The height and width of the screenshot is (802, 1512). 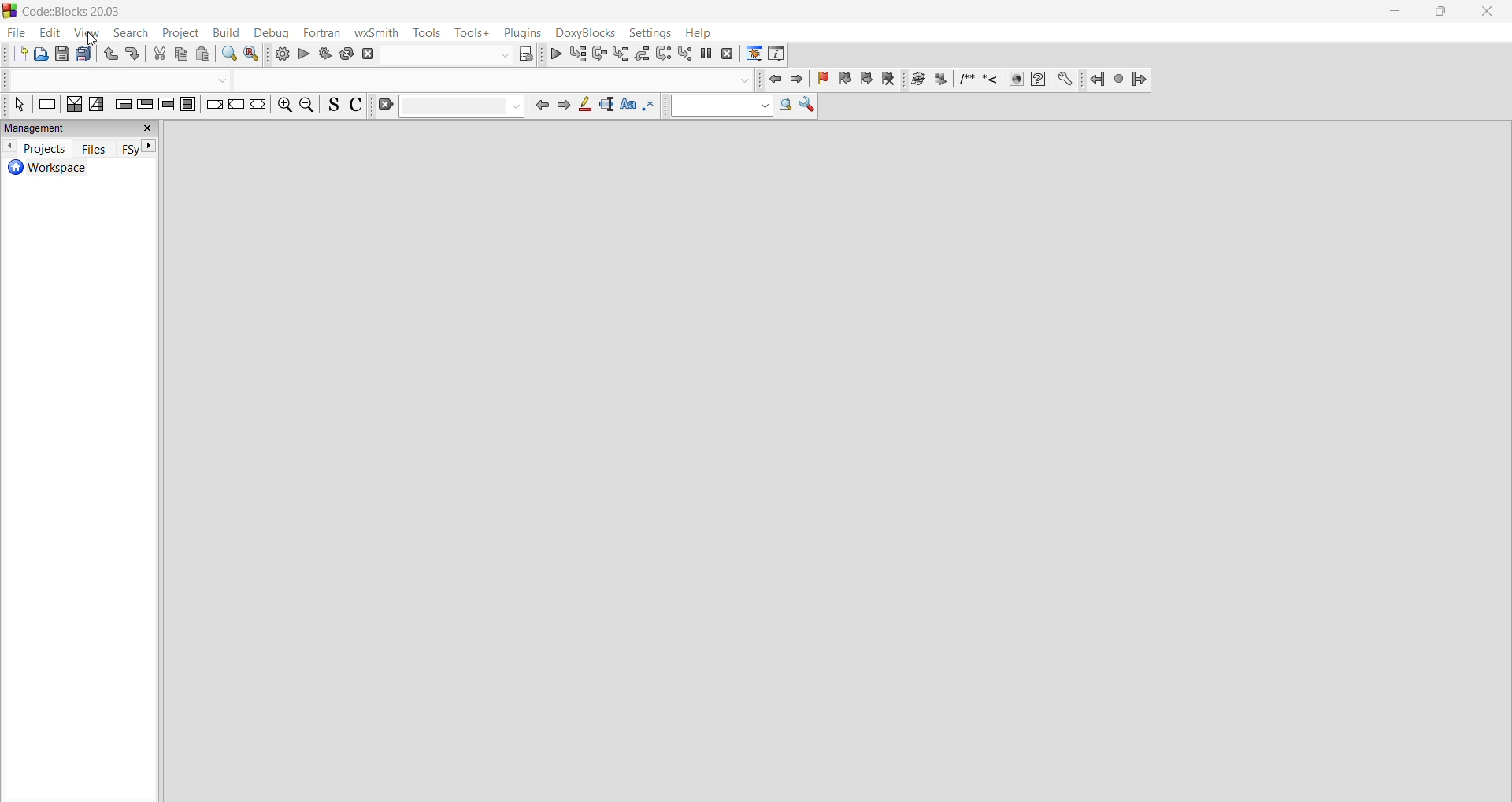 What do you see at coordinates (286, 106) in the screenshot?
I see `zoom in` at bounding box center [286, 106].